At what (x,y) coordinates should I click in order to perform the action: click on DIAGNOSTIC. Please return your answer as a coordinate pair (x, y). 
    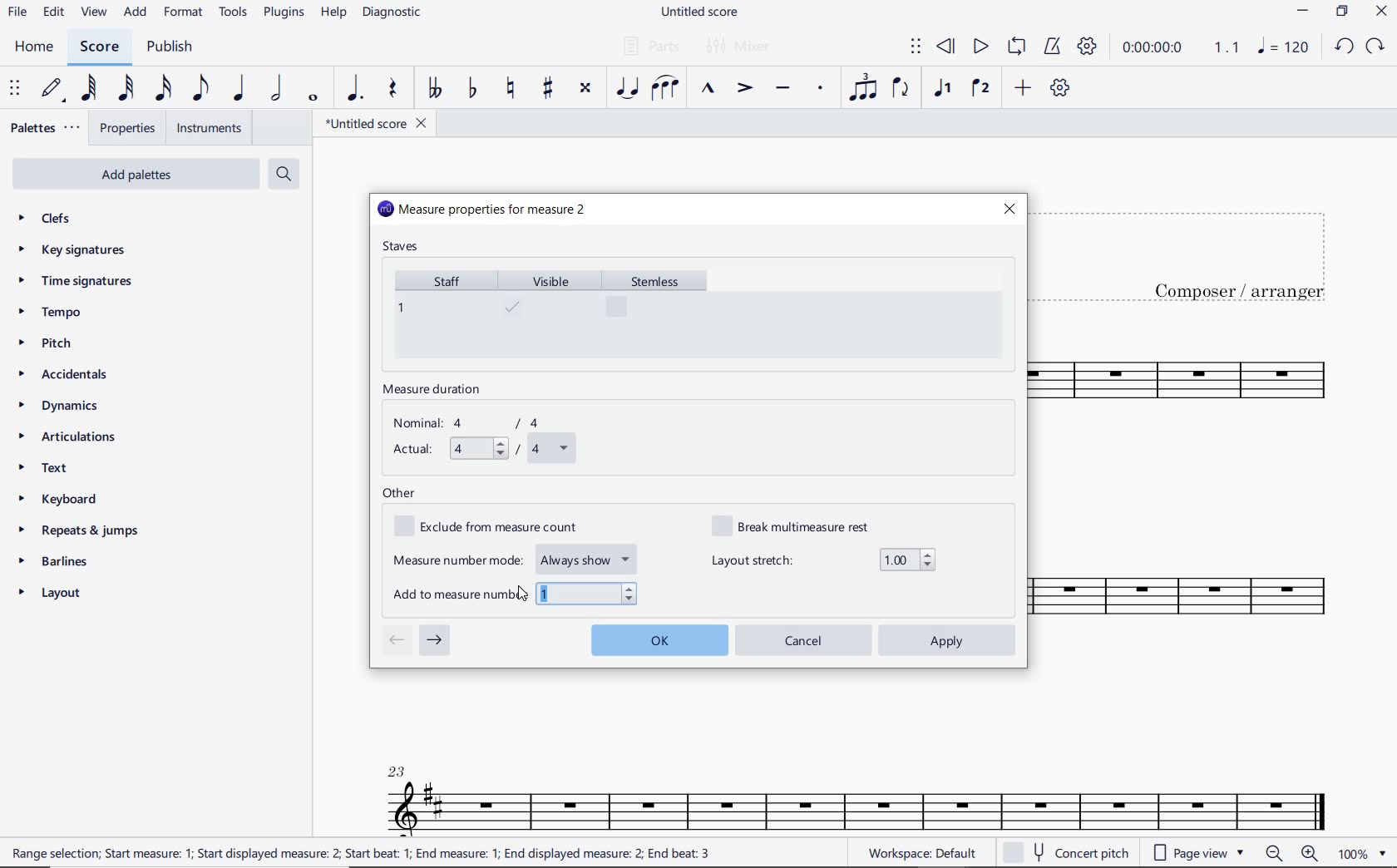
    Looking at the image, I should click on (397, 13).